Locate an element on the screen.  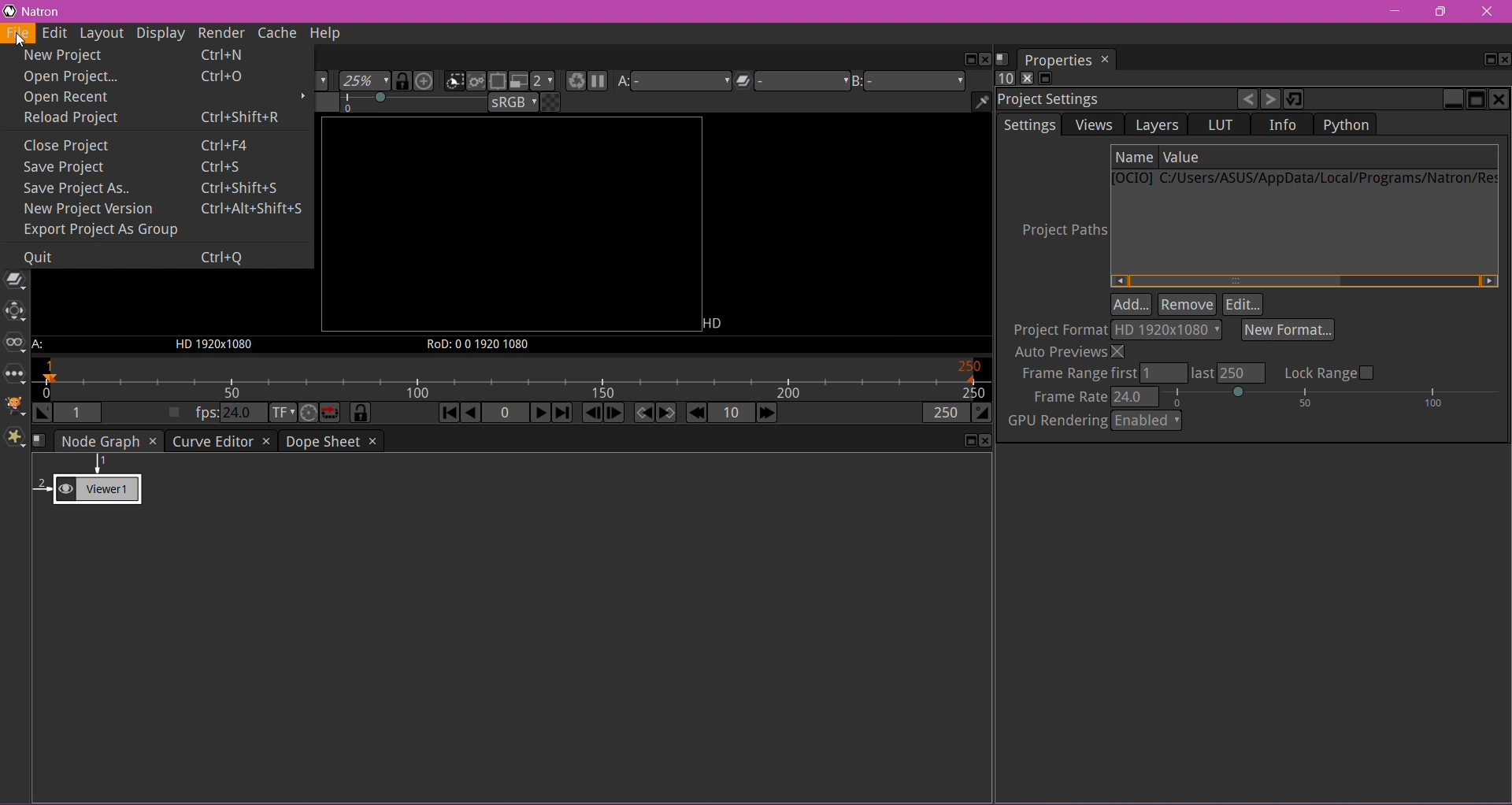
Close is located at coordinates (1498, 98).